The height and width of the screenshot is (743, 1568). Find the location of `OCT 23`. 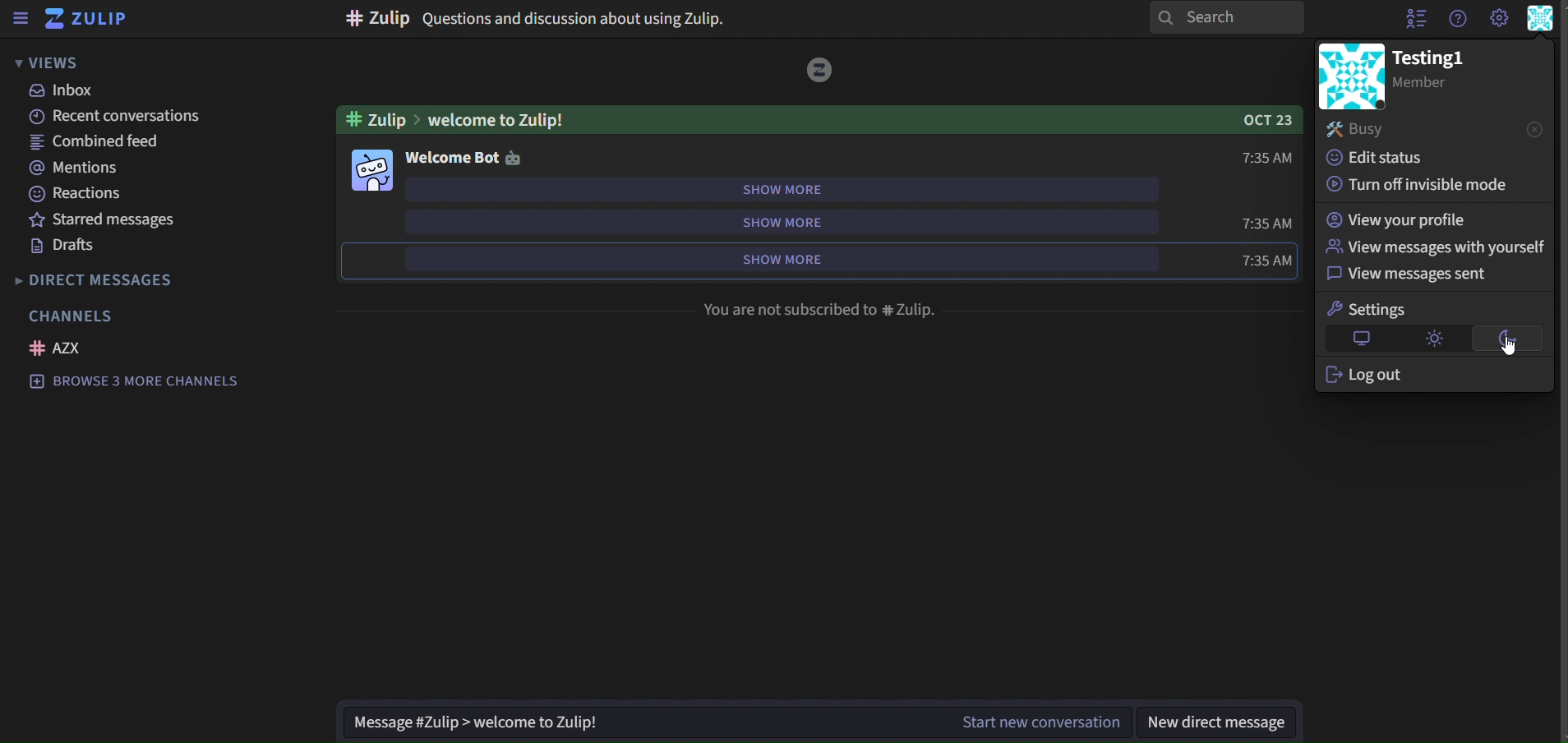

OCT 23 is located at coordinates (1257, 119).